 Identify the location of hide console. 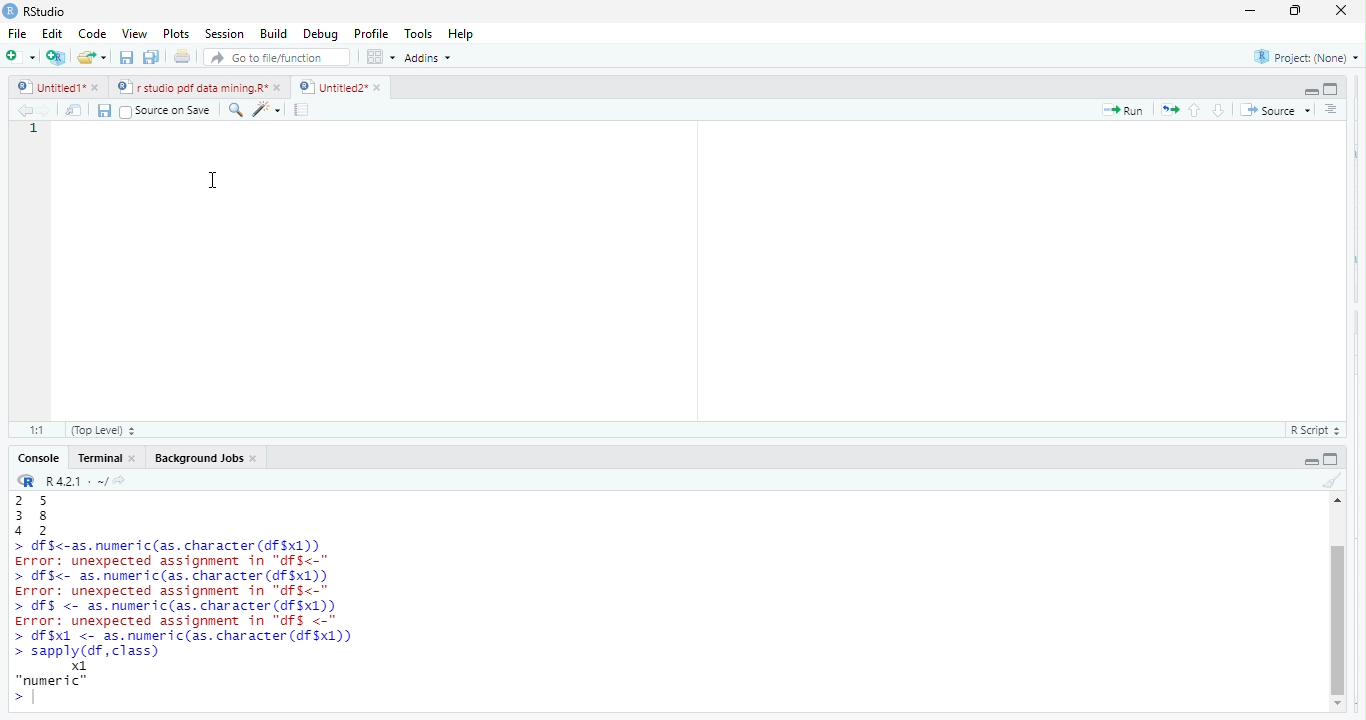
(1332, 88).